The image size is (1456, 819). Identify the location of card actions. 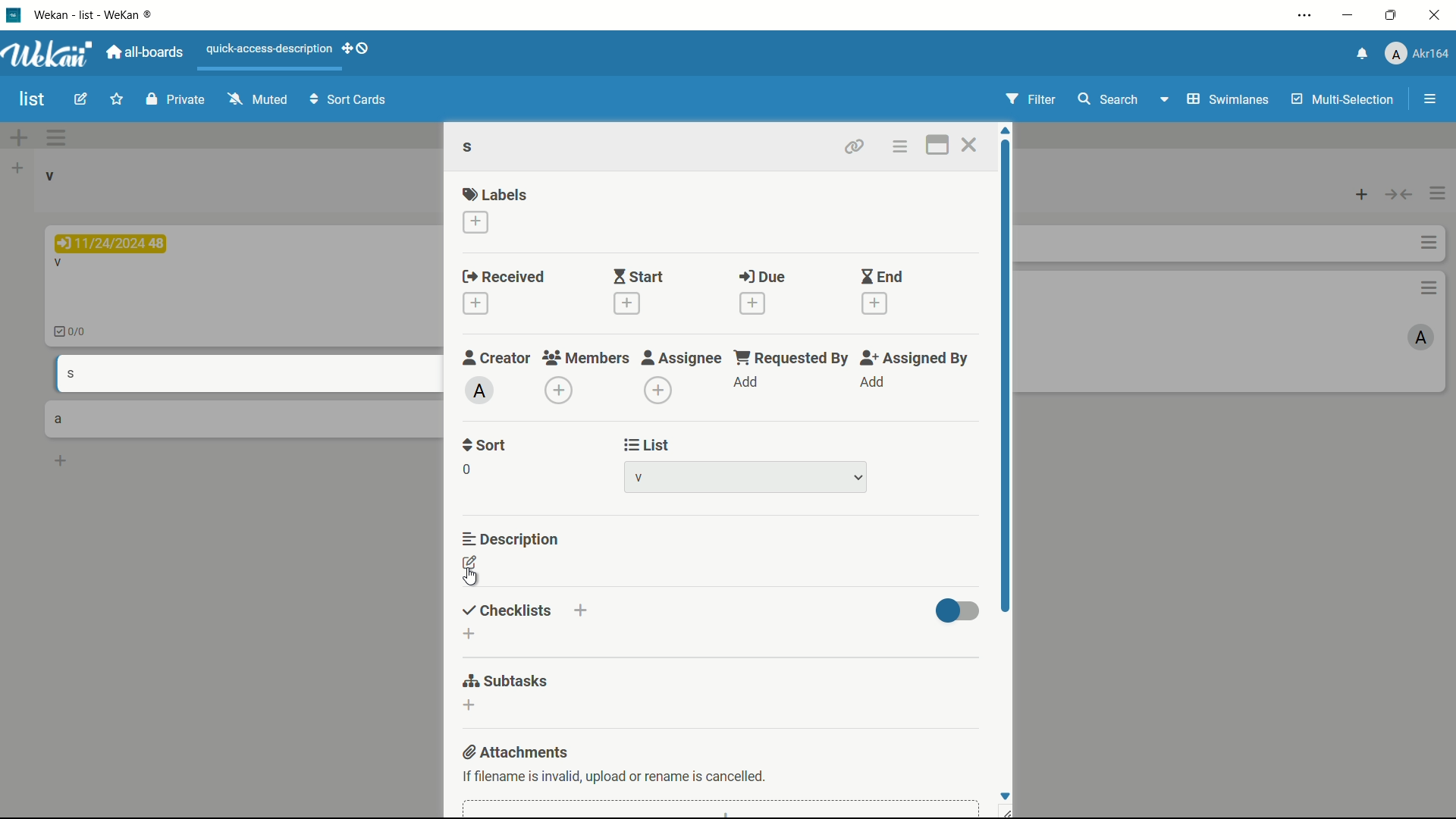
(899, 146).